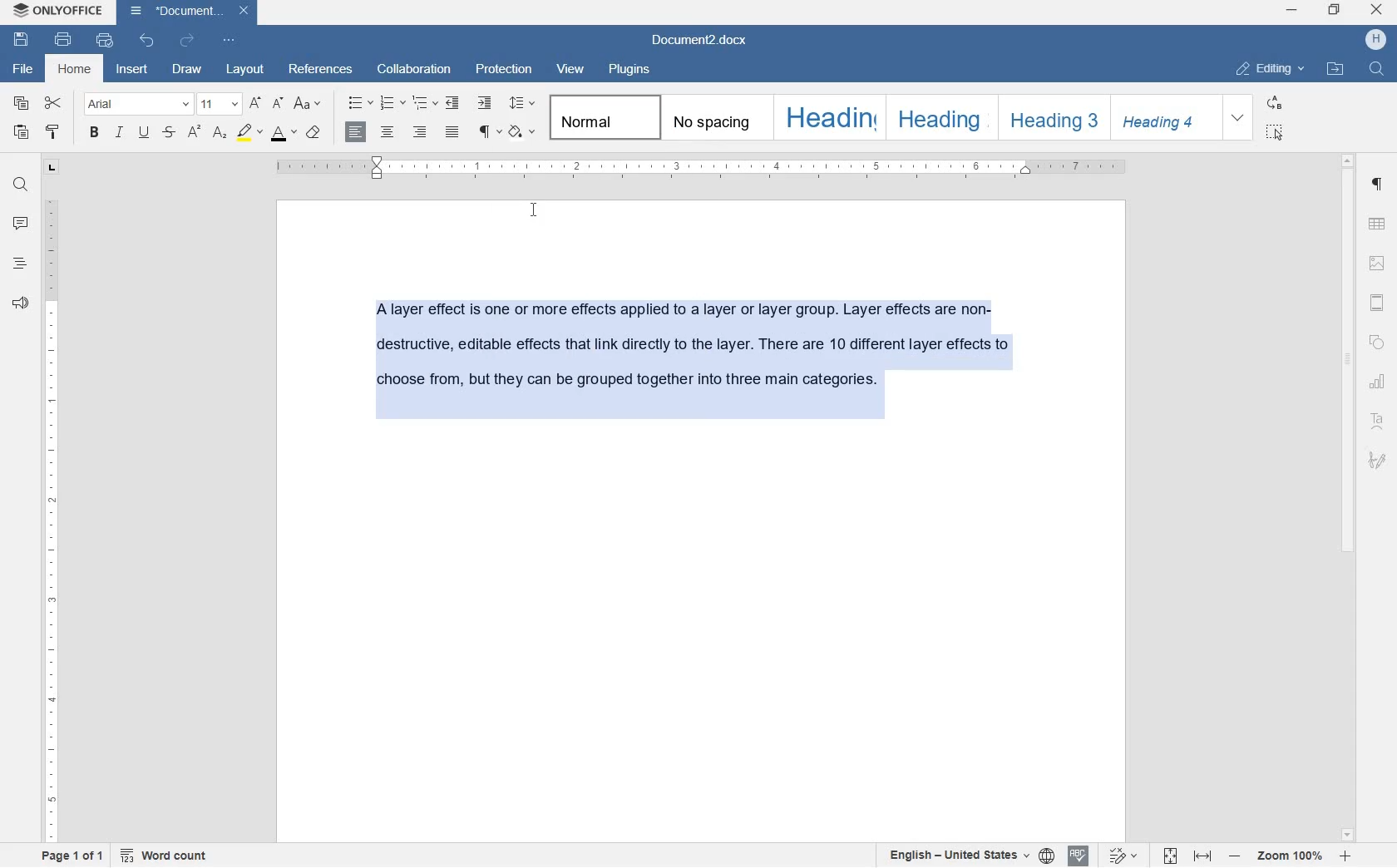  I want to click on font name, so click(136, 105).